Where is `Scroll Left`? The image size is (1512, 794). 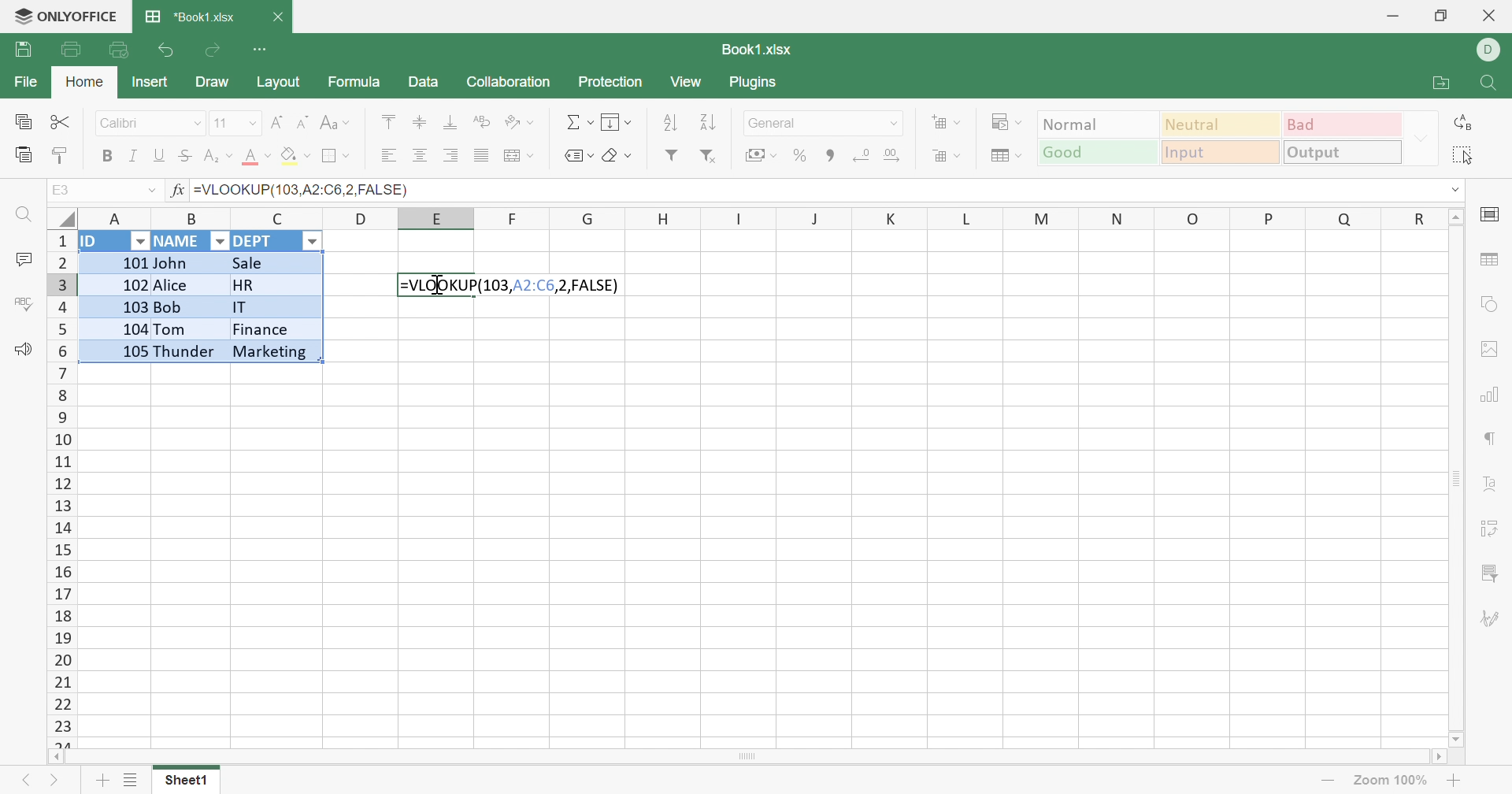
Scroll Left is located at coordinates (54, 757).